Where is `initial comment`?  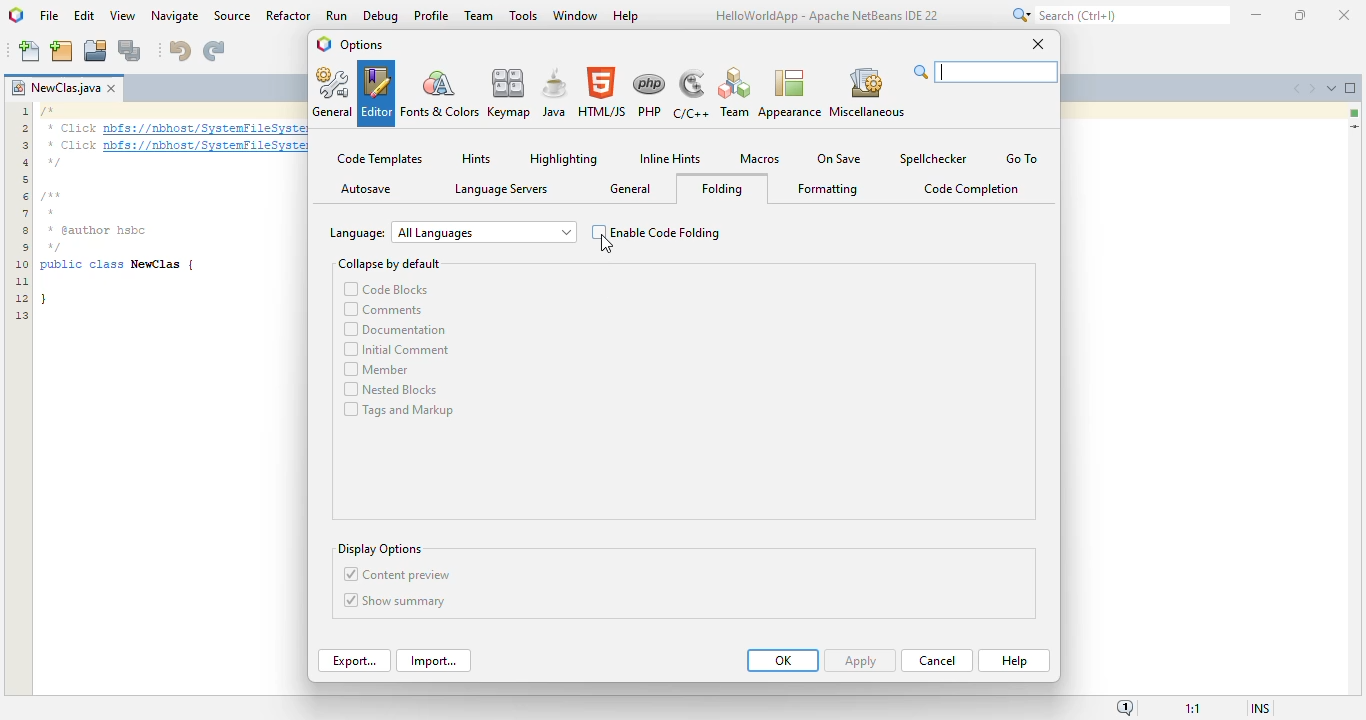 initial comment is located at coordinates (394, 351).